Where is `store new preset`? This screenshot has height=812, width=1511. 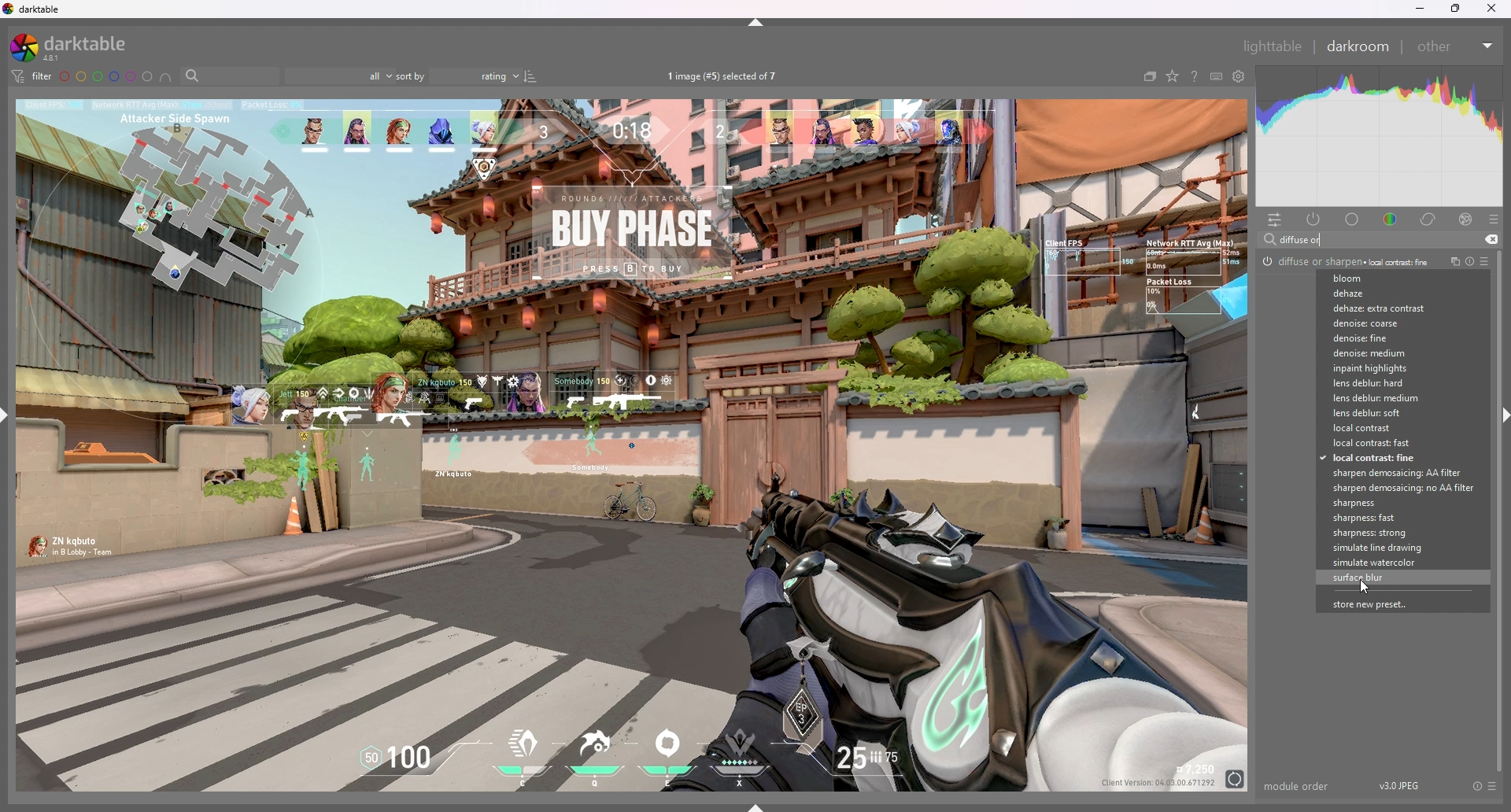 store new preset is located at coordinates (1392, 604).